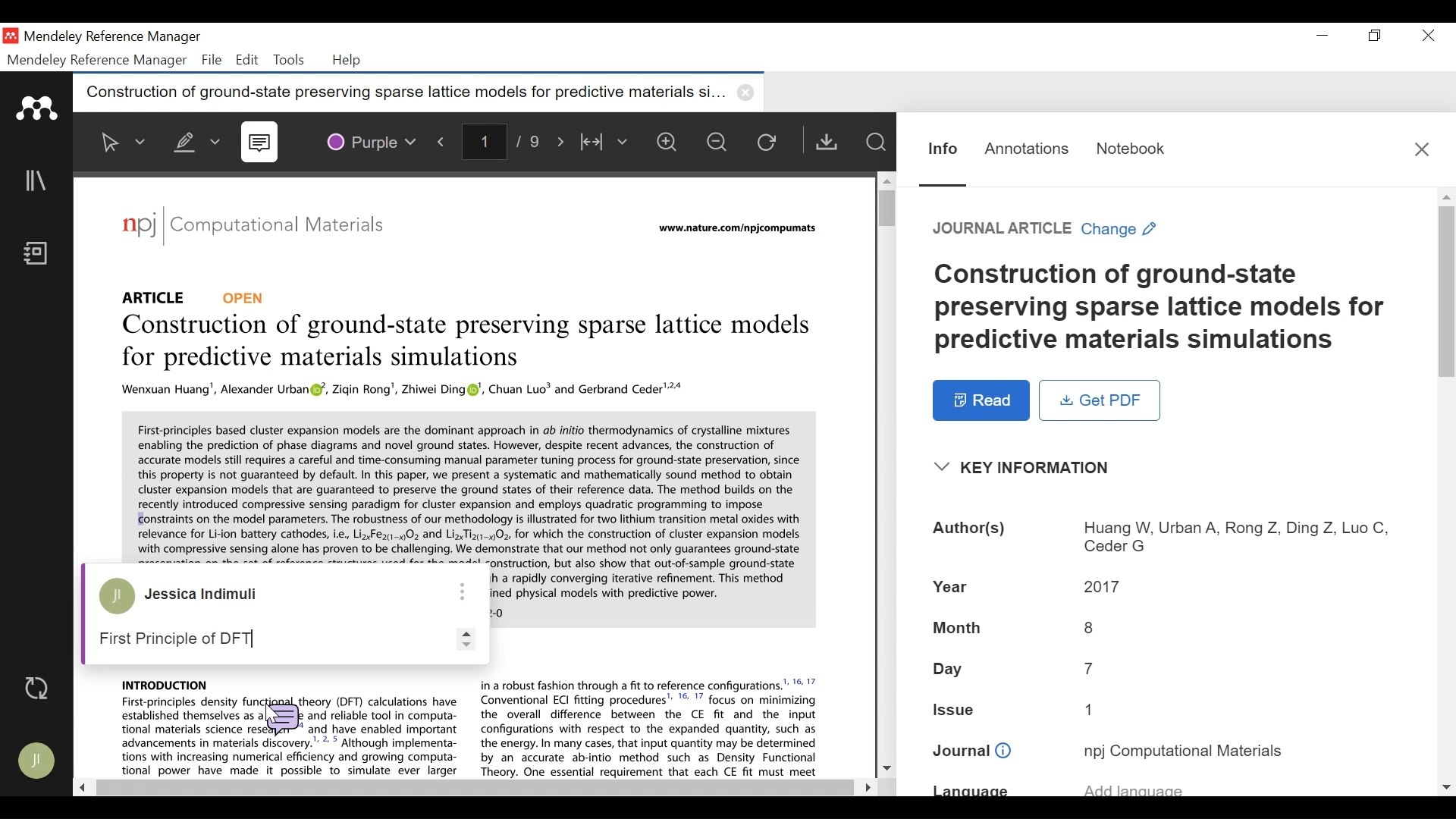  I want to click on Sync, so click(37, 689).